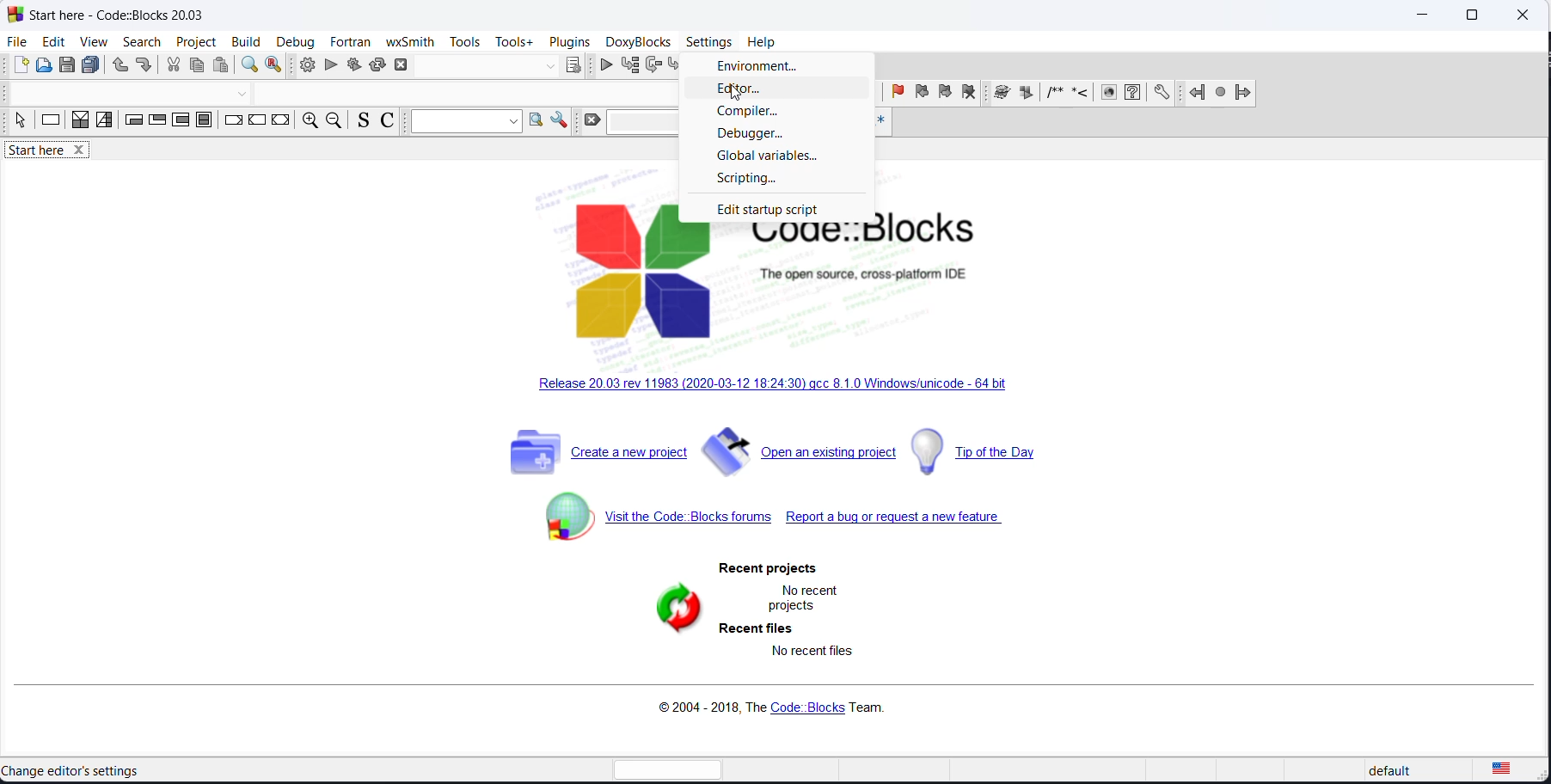 This screenshot has width=1551, height=784. I want to click on project, so click(193, 42).